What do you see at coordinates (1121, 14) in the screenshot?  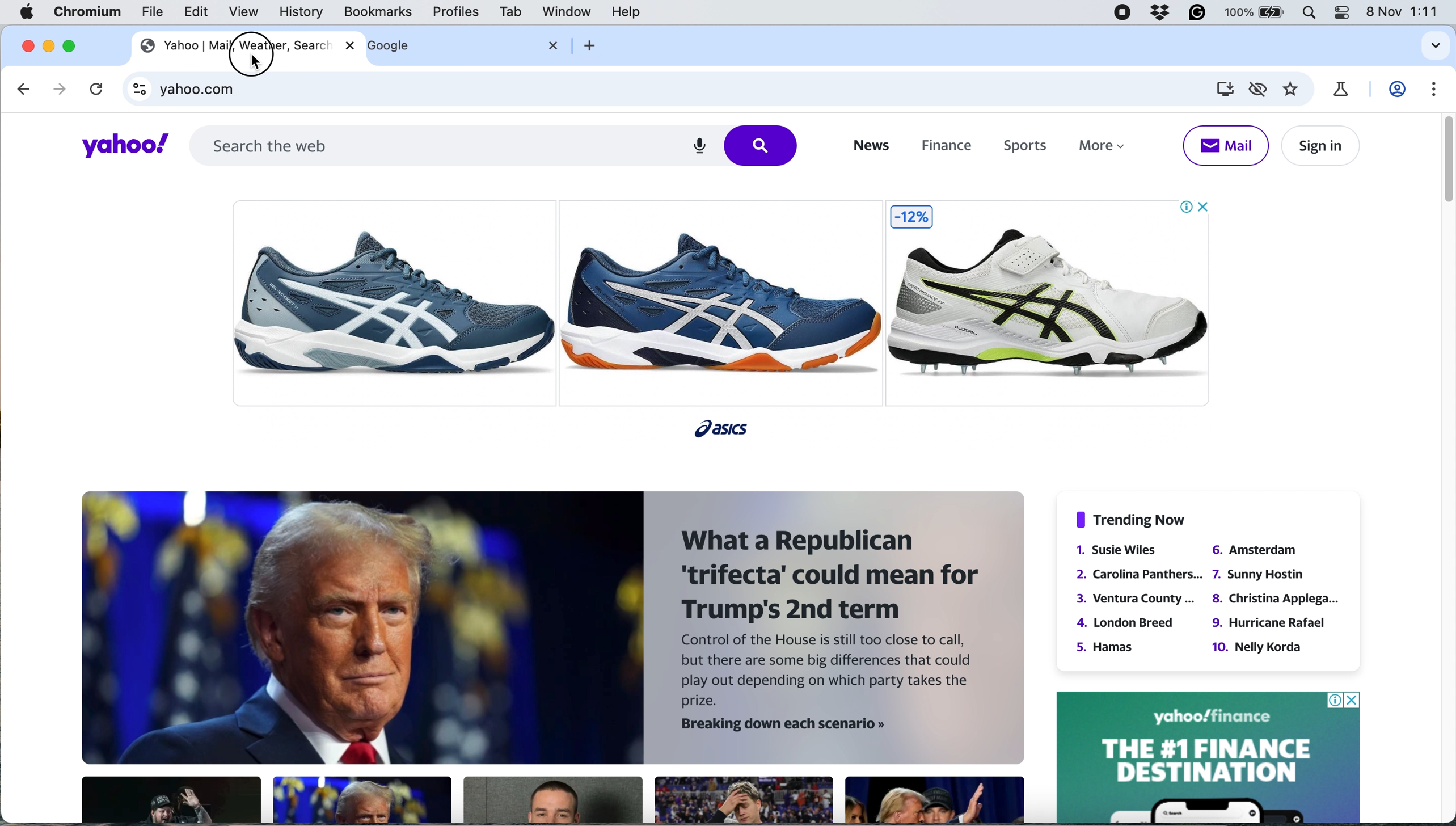 I see `screen recorder` at bounding box center [1121, 14].